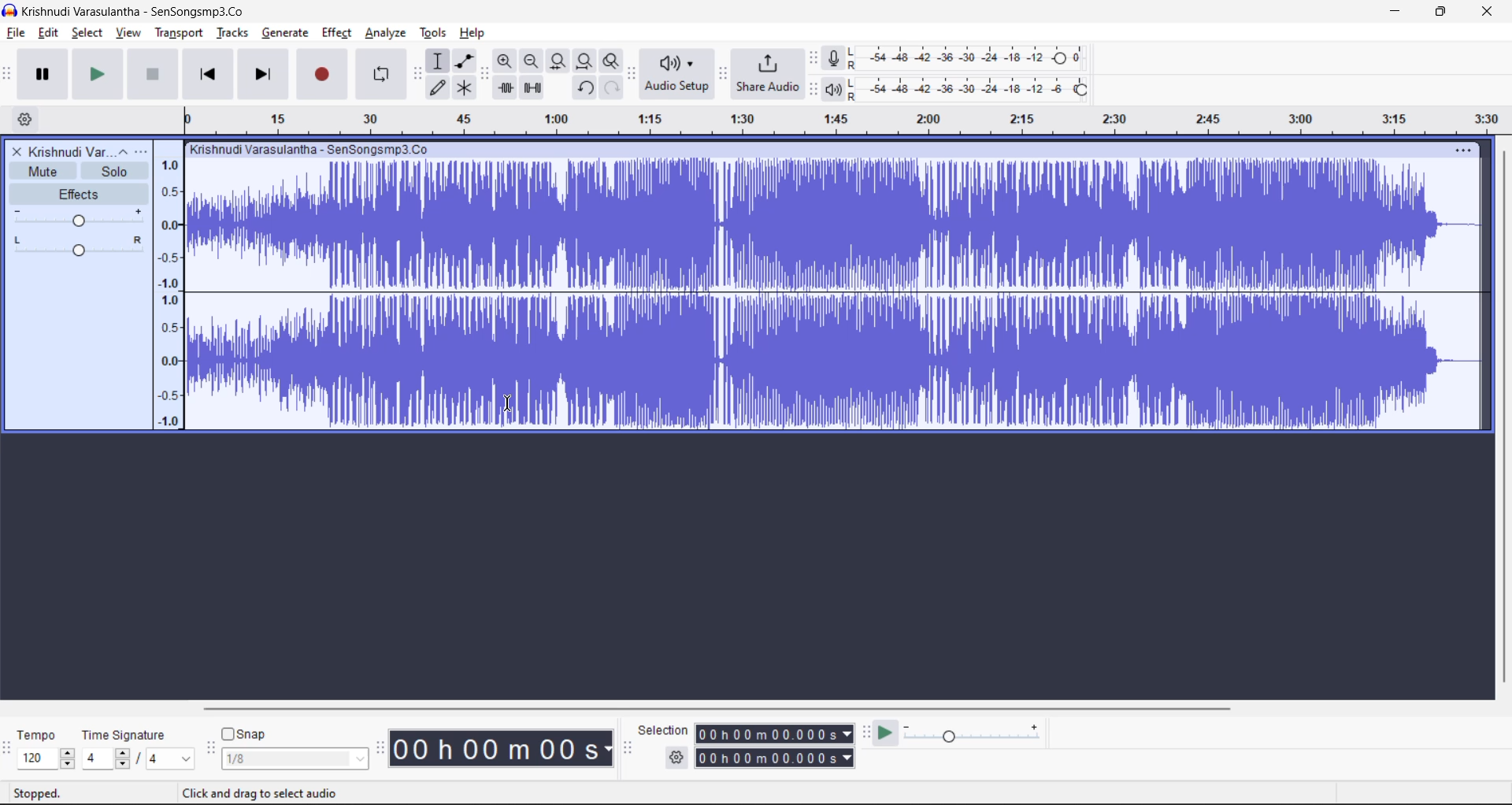 The image size is (1512, 805). Describe the element at coordinates (131, 12) in the screenshot. I see `Krishnudi Varasulantha - SenSongsmp3.Co` at that location.